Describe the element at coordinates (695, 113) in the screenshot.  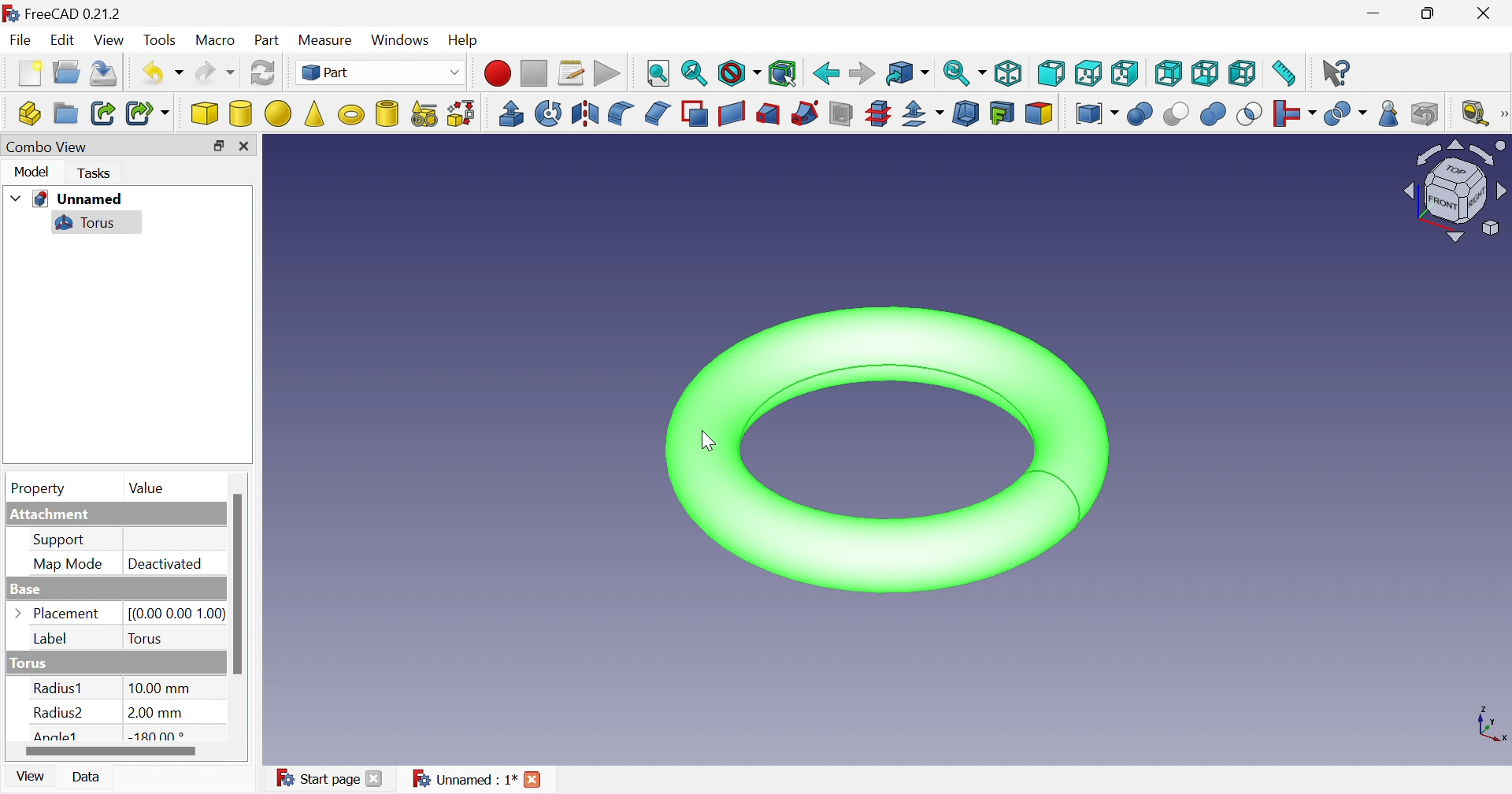
I see `Make face from wires` at that location.